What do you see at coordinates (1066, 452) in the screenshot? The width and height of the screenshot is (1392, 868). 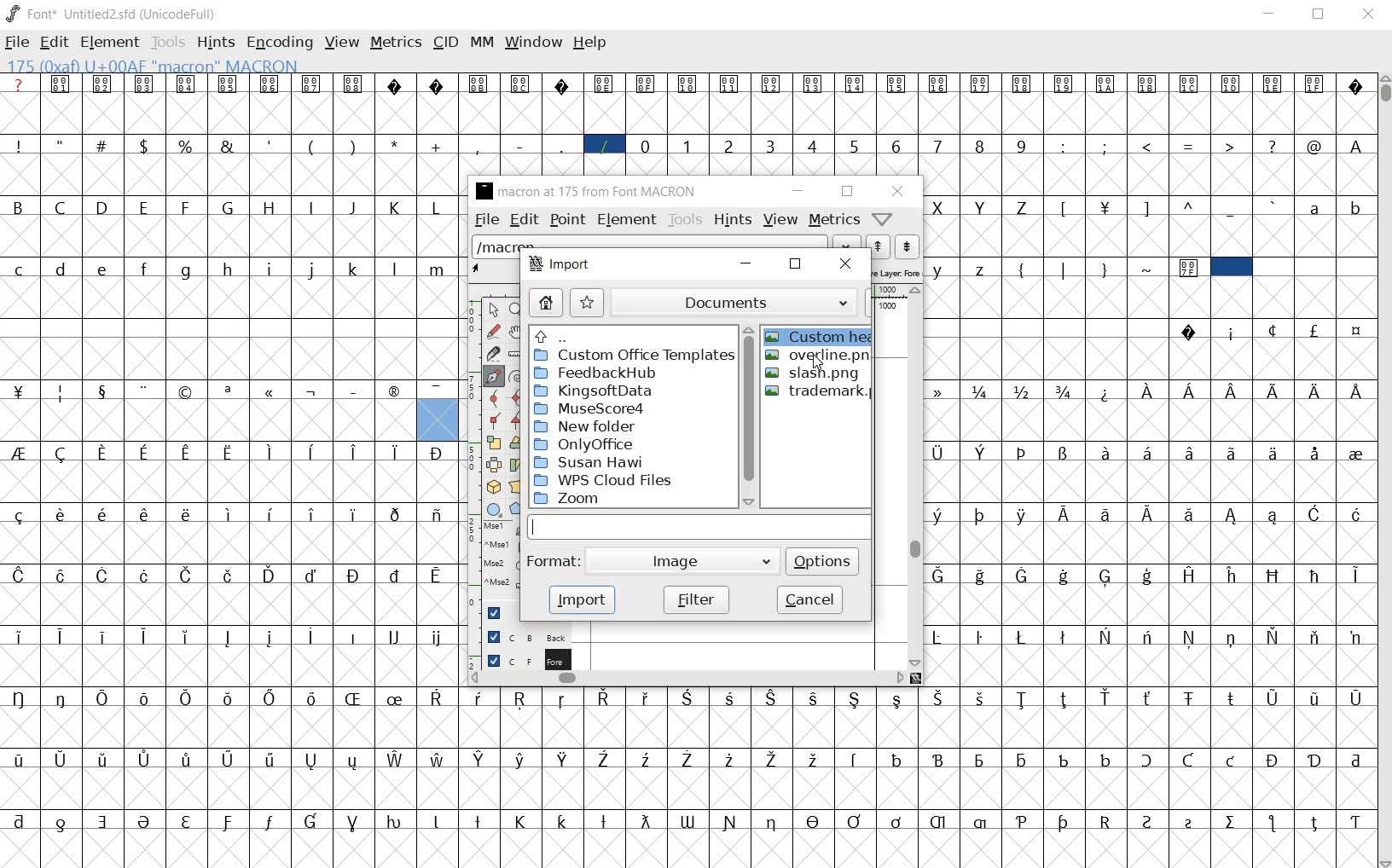 I see `Symbol` at bounding box center [1066, 452].